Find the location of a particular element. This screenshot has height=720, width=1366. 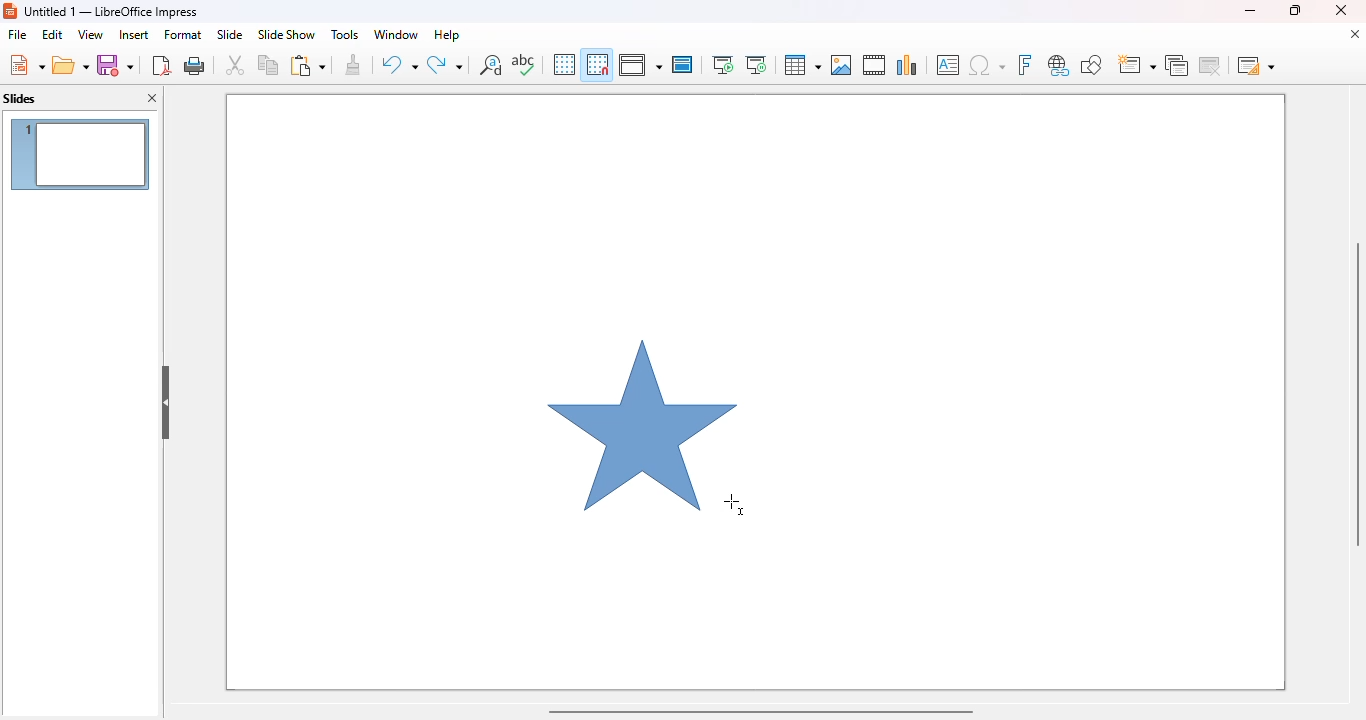

paste is located at coordinates (307, 65).